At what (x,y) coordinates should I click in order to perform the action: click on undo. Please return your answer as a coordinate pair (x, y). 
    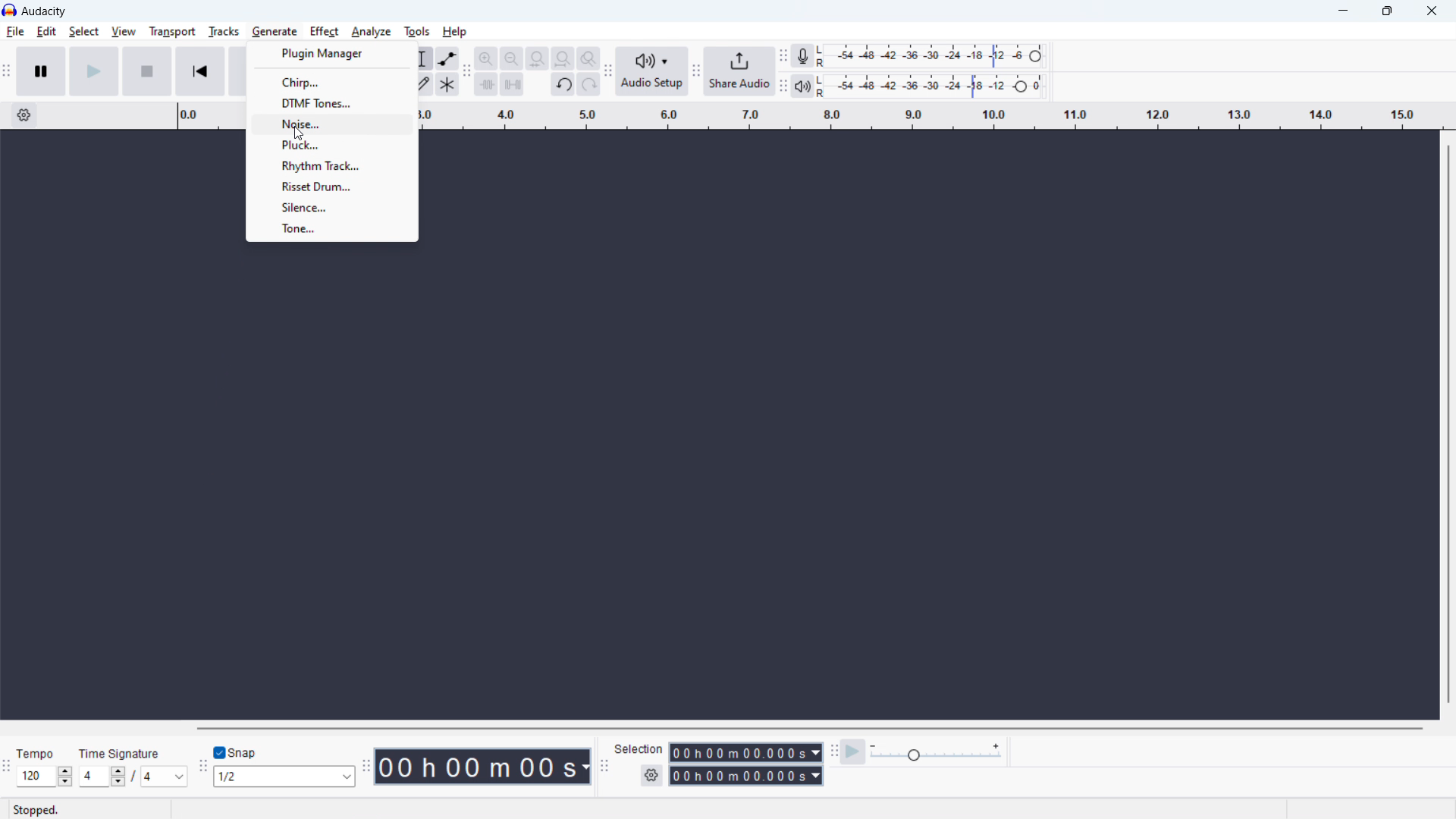
    Looking at the image, I should click on (563, 84).